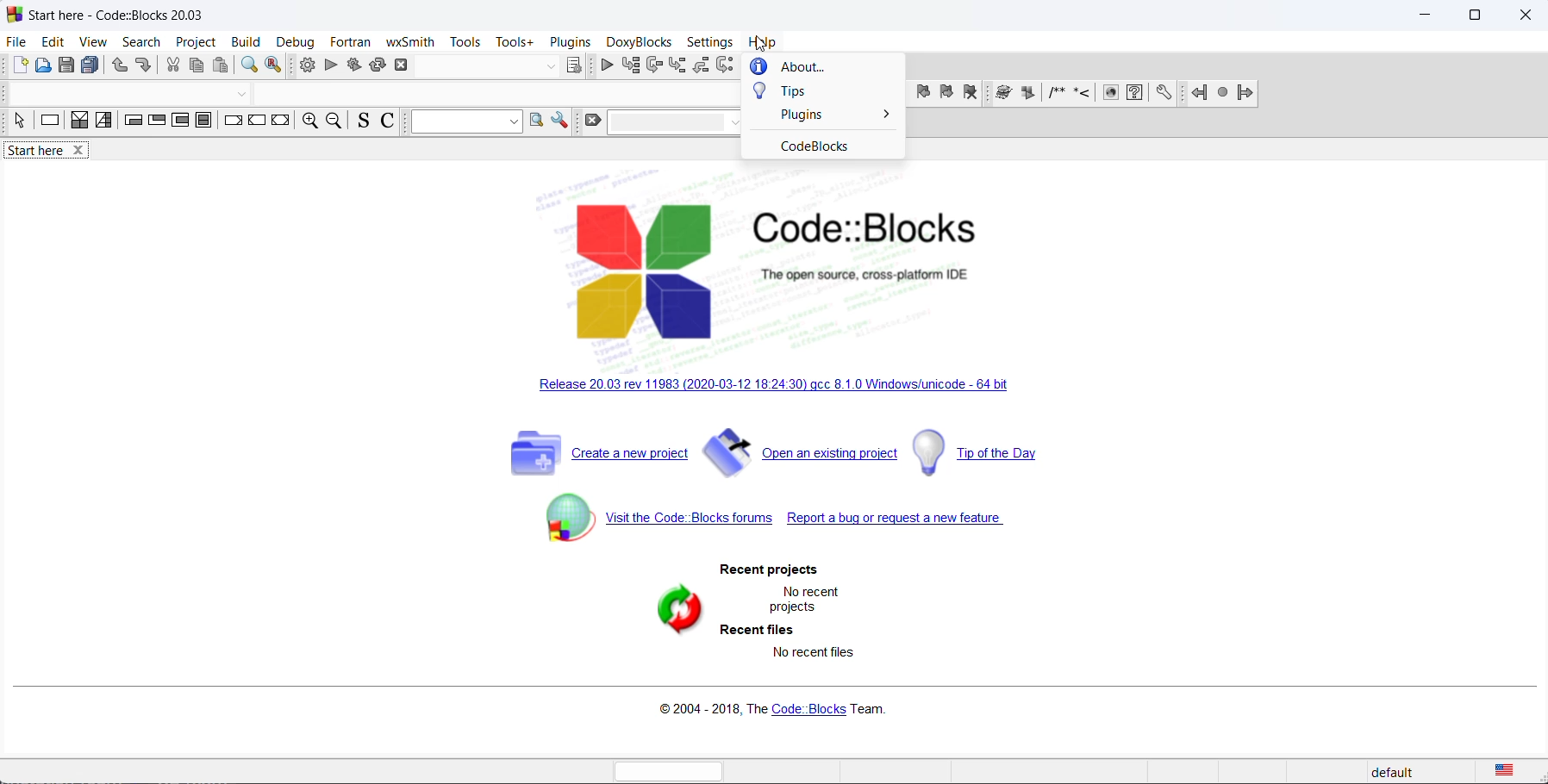 Image resolution: width=1548 pixels, height=784 pixels. What do you see at coordinates (970, 94) in the screenshot?
I see `remove bookmark` at bounding box center [970, 94].